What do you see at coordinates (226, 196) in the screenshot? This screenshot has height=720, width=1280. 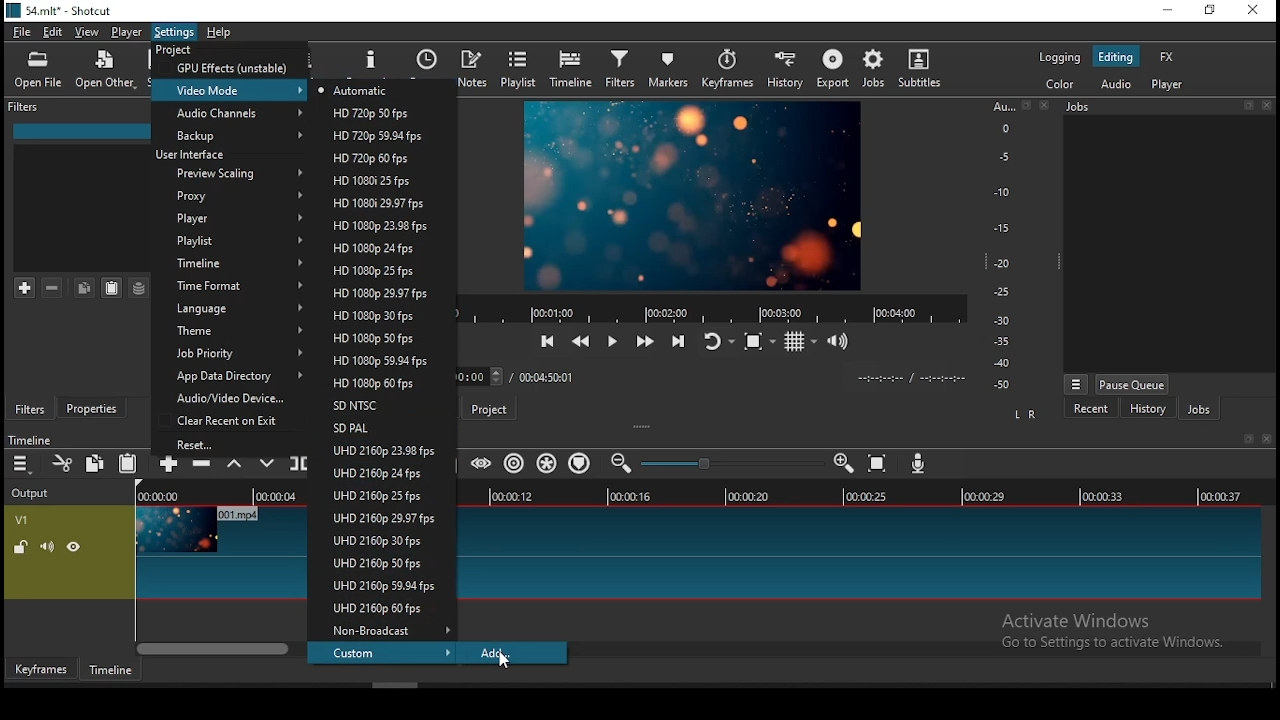 I see `proxy` at bounding box center [226, 196].